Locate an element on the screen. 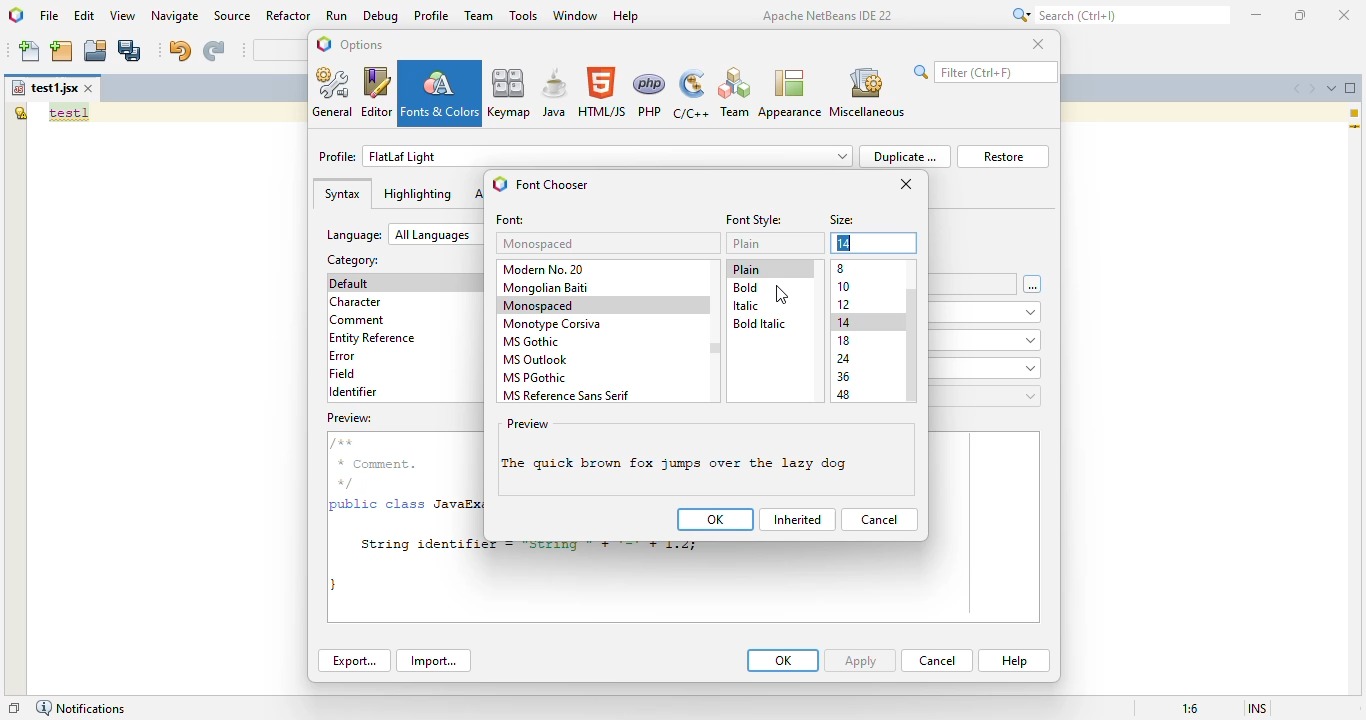 This screenshot has width=1366, height=720. monospaced is located at coordinates (540, 244).